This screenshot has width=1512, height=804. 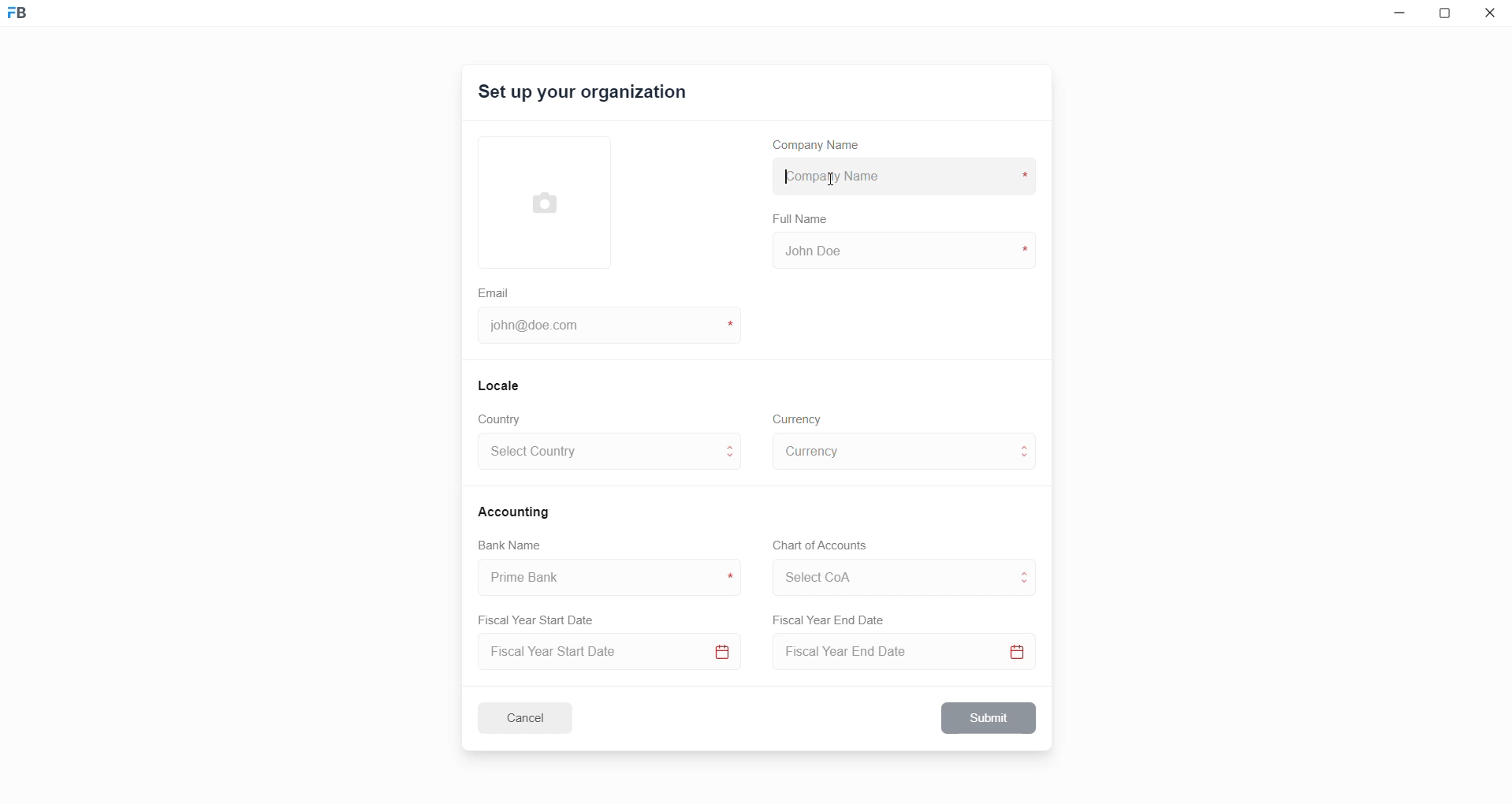 I want to click on move to below currency, so click(x=1028, y=460).